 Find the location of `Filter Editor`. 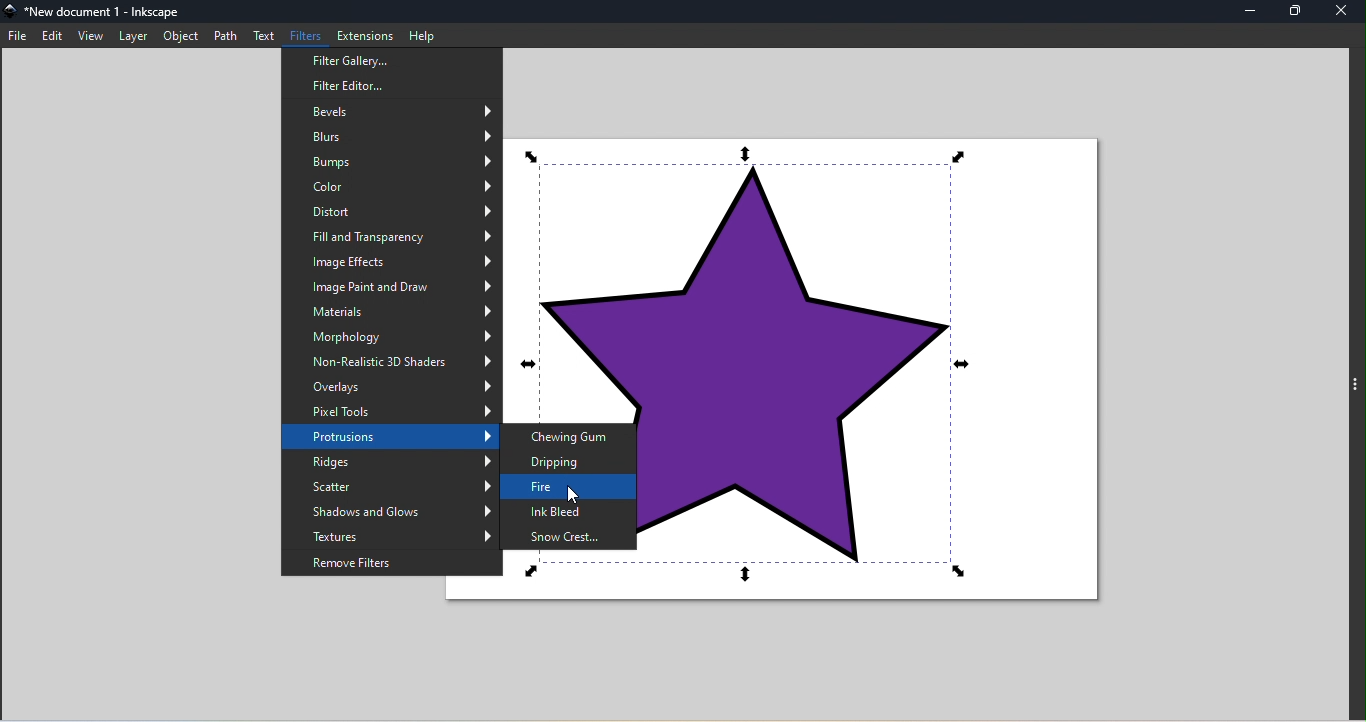

Filter Editor is located at coordinates (393, 86).